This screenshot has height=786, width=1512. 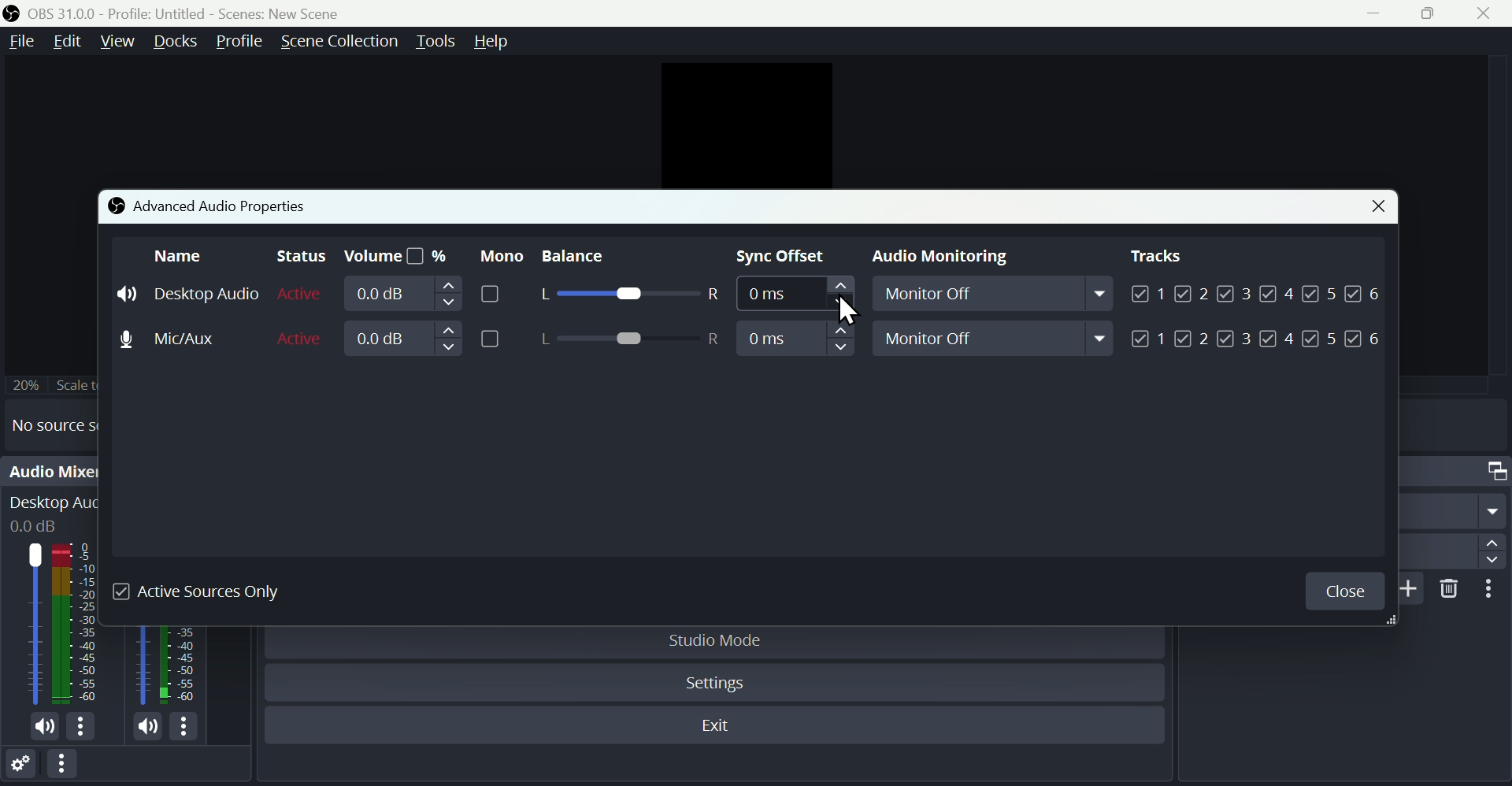 What do you see at coordinates (721, 728) in the screenshot?
I see `Exit` at bounding box center [721, 728].